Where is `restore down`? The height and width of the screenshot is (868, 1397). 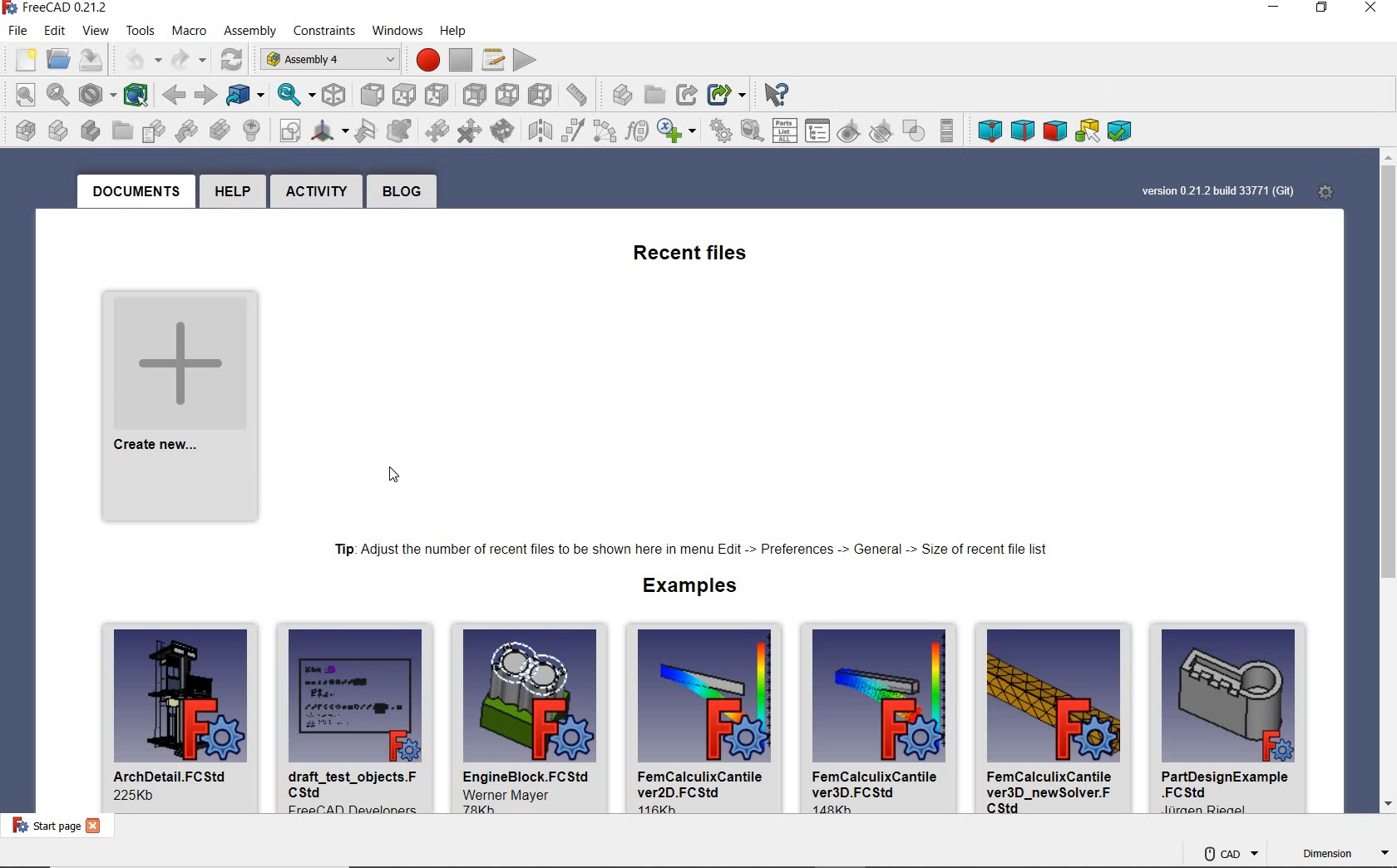 restore down is located at coordinates (1323, 8).